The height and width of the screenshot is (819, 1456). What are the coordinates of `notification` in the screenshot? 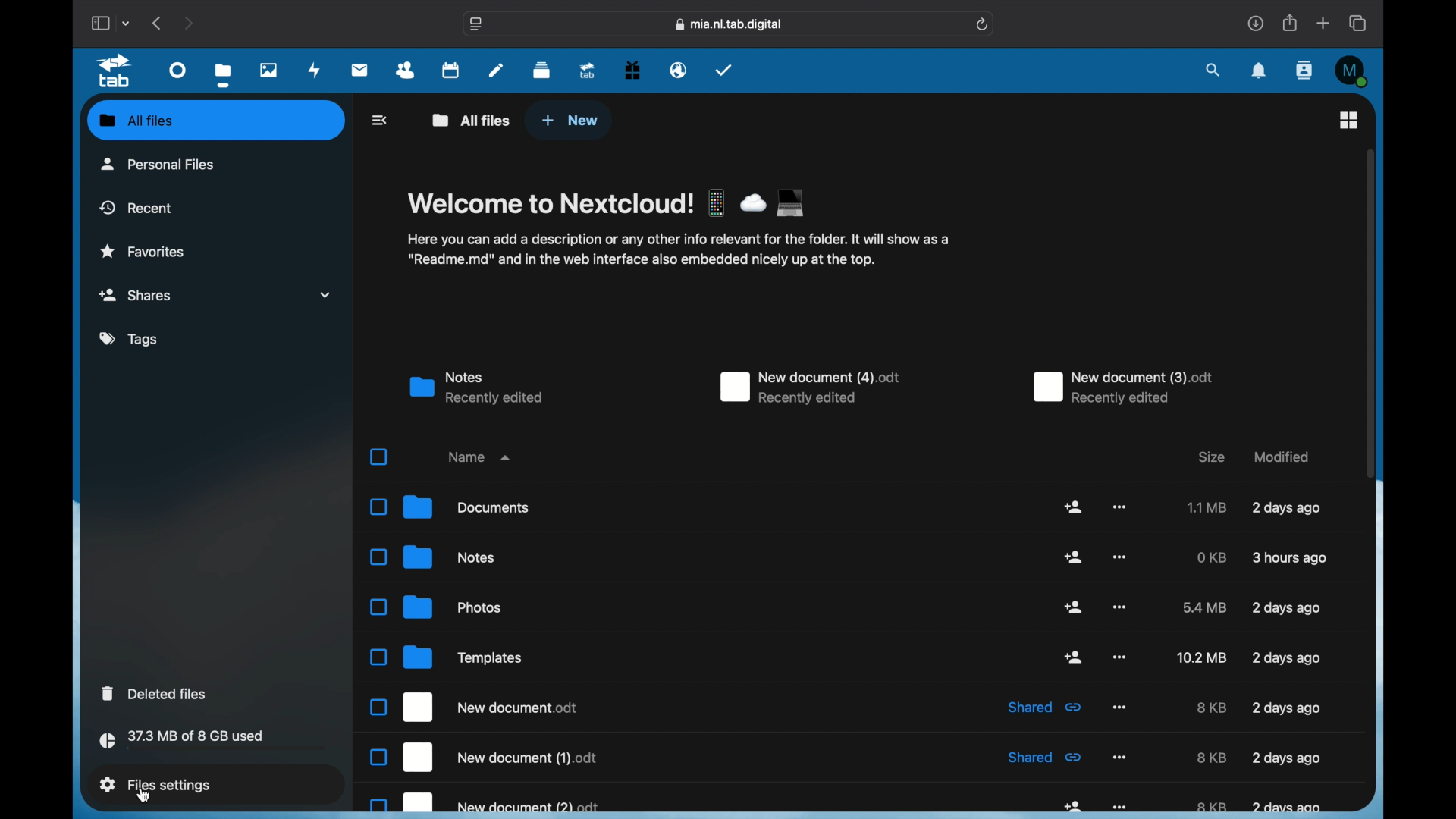 It's located at (1260, 71).